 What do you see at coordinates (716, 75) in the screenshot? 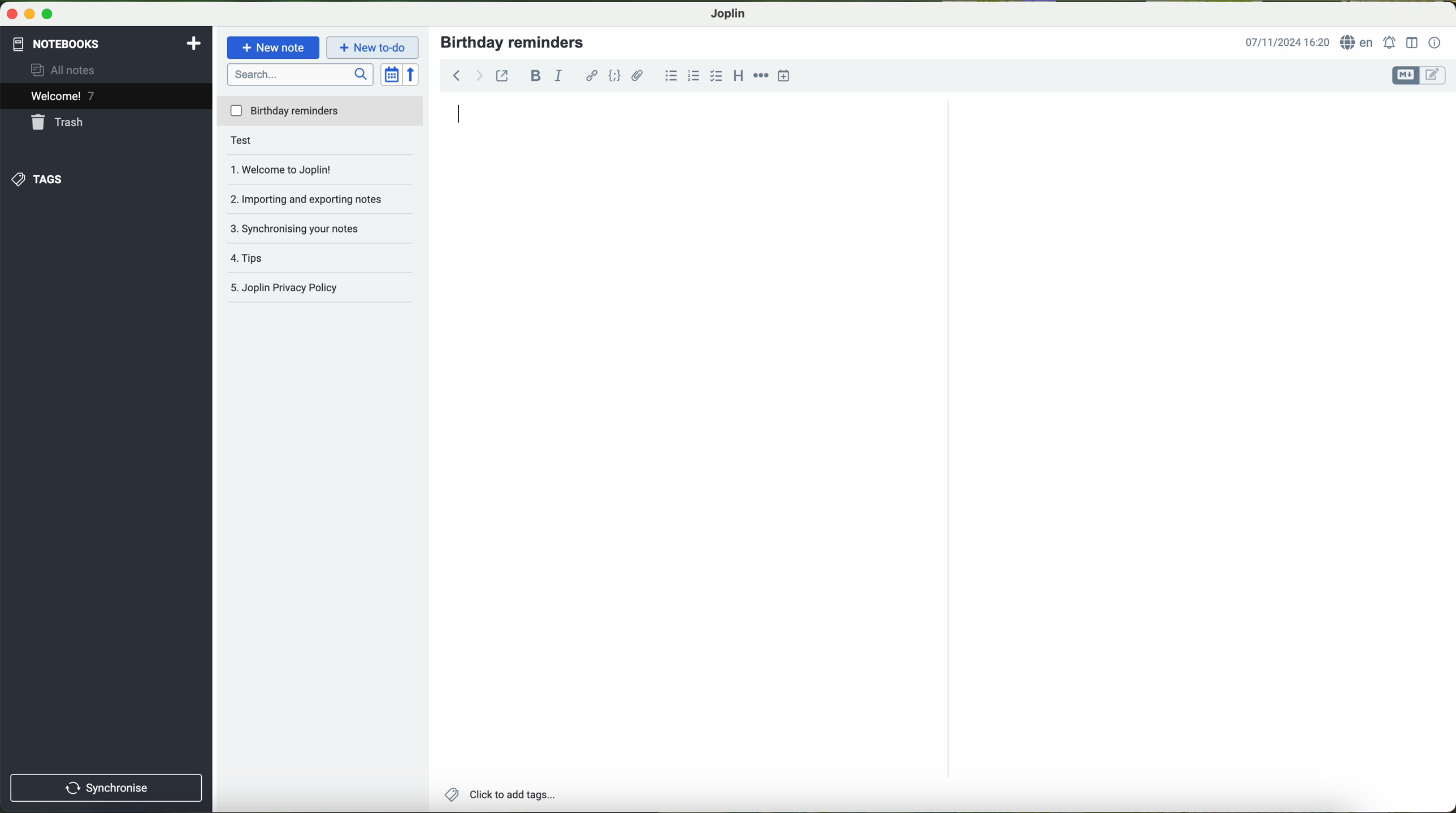
I see `checkbox` at bounding box center [716, 75].